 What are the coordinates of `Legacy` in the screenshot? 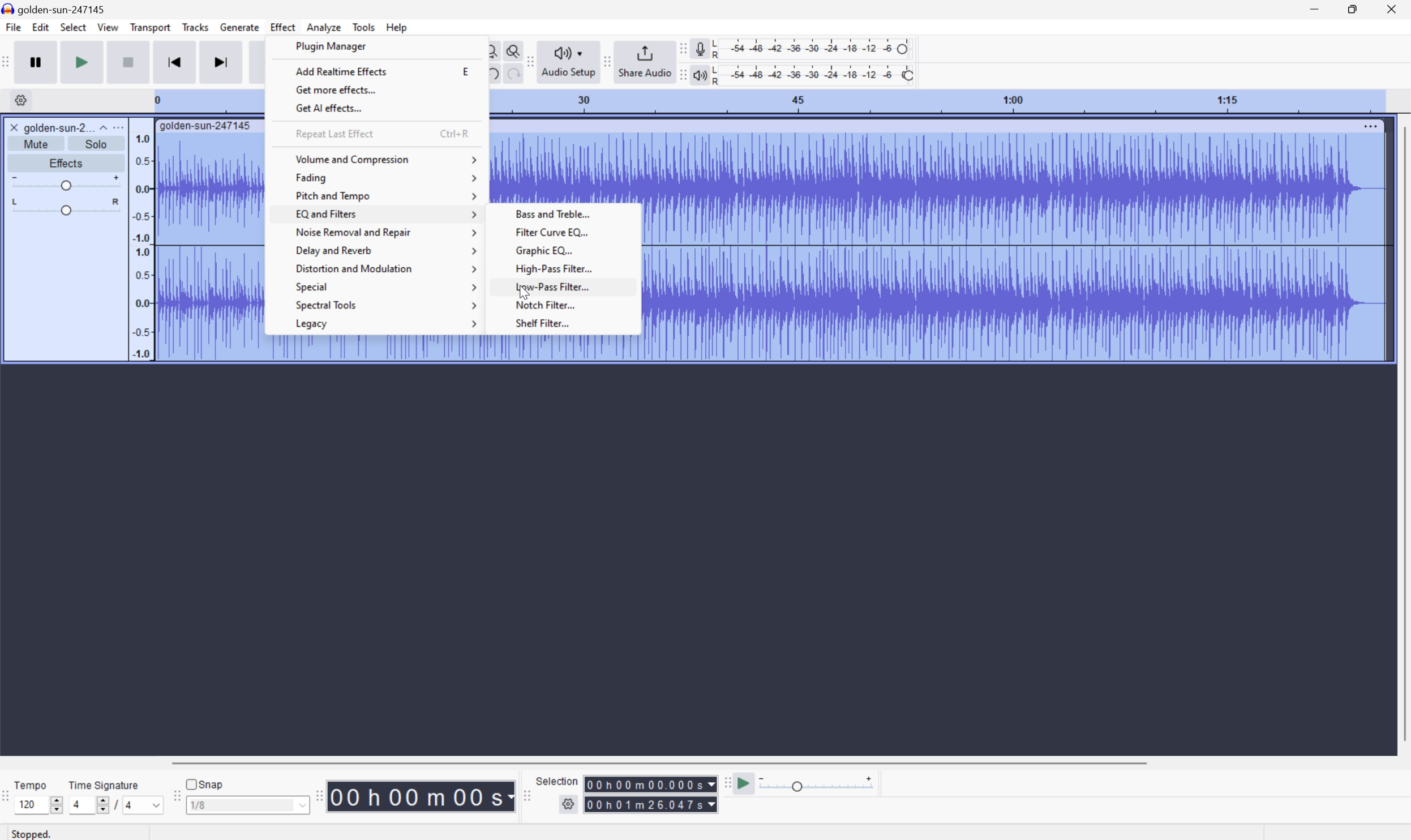 It's located at (384, 324).